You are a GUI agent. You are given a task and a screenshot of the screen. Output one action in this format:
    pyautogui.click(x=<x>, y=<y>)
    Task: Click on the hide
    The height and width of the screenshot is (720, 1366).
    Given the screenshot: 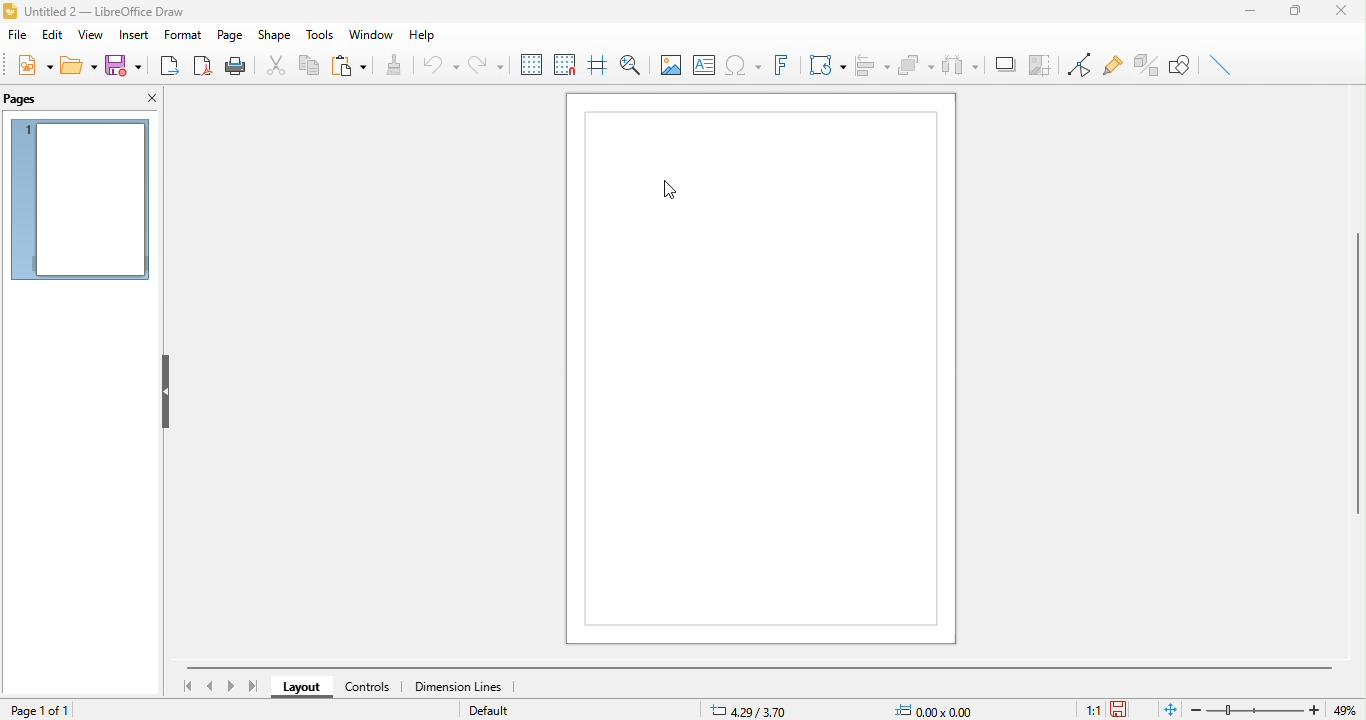 What is the action you would take?
    pyautogui.click(x=170, y=392)
    